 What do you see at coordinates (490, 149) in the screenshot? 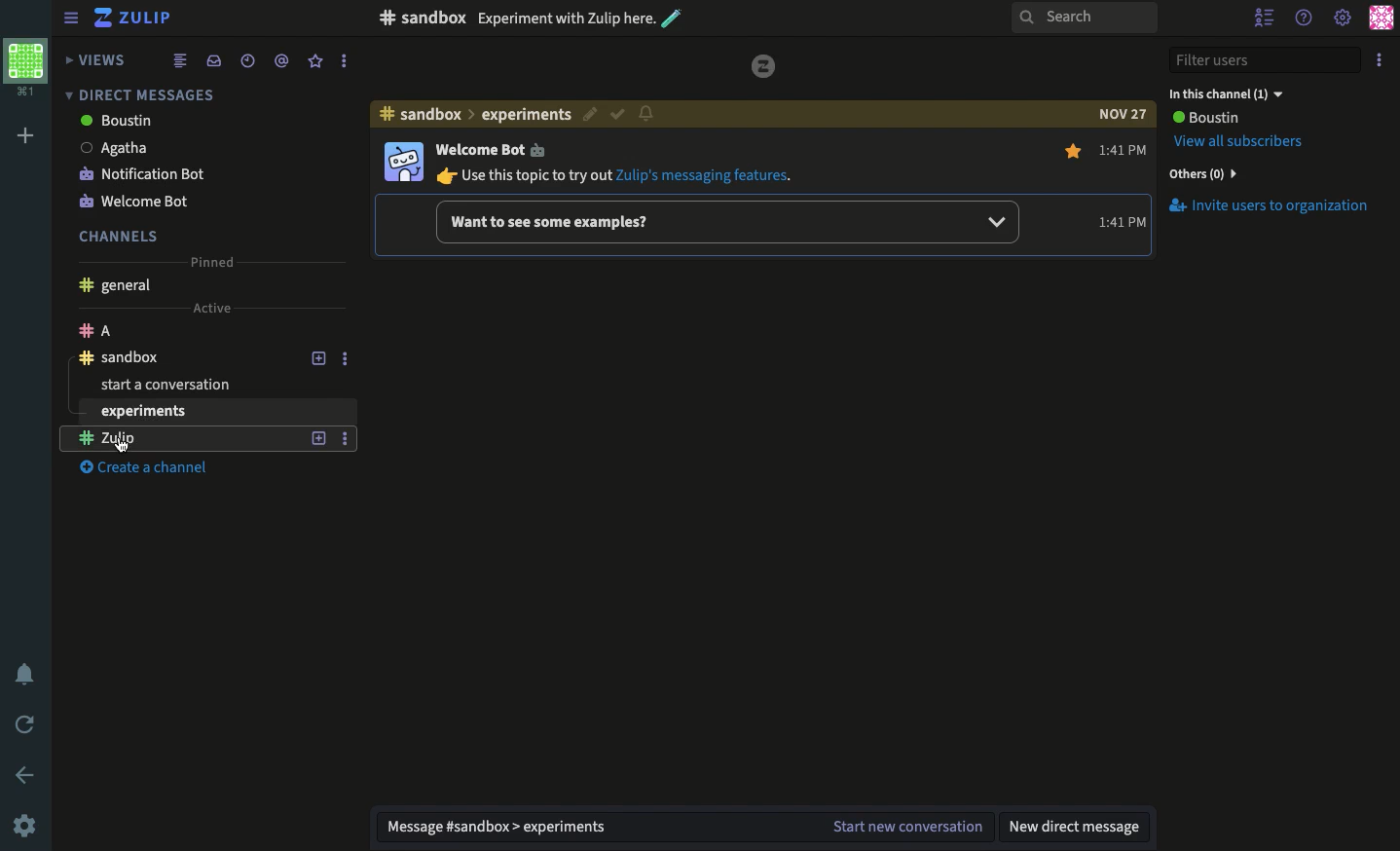
I see `welcome bot` at bounding box center [490, 149].